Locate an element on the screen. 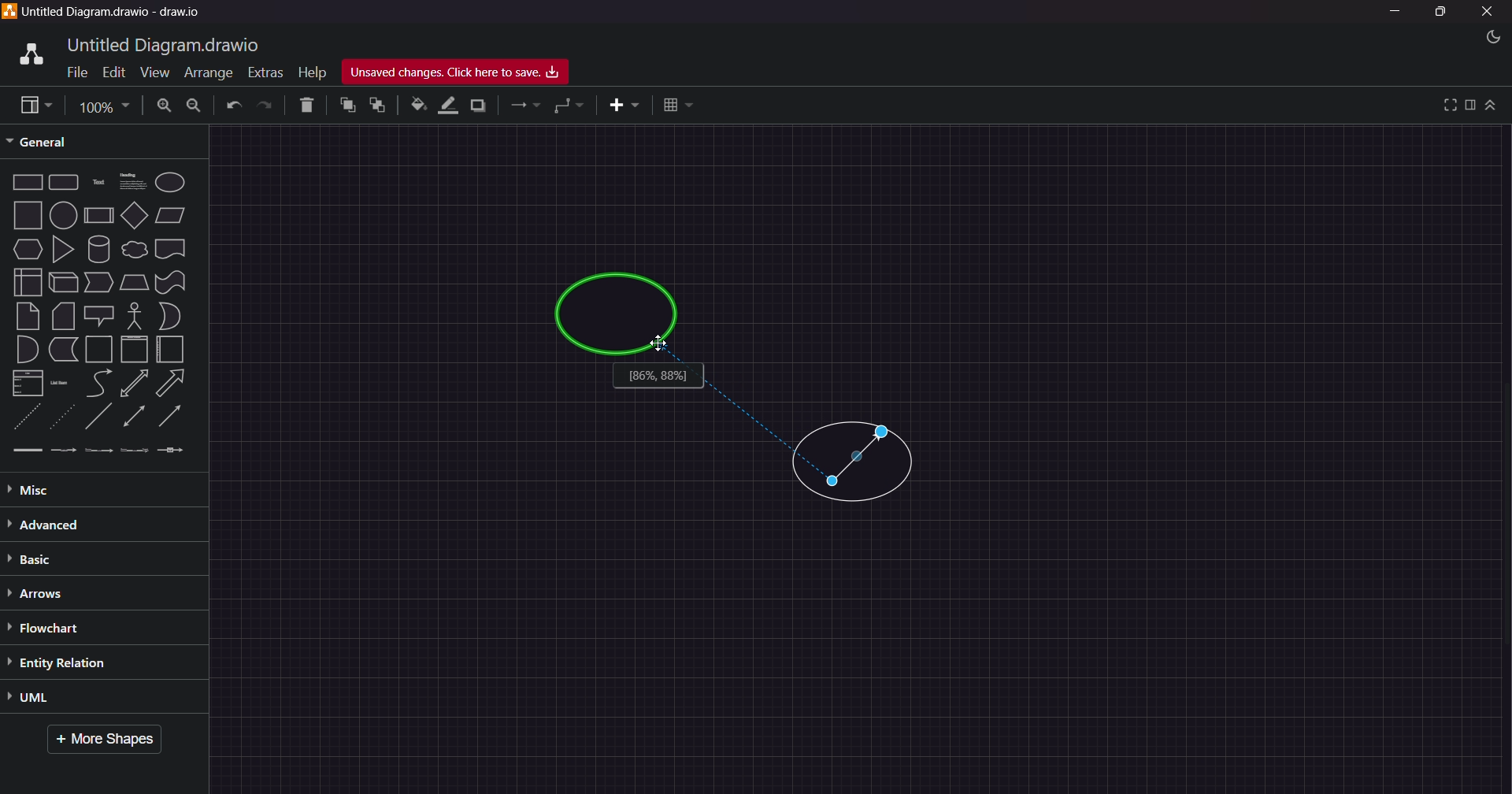  view is located at coordinates (31, 105).